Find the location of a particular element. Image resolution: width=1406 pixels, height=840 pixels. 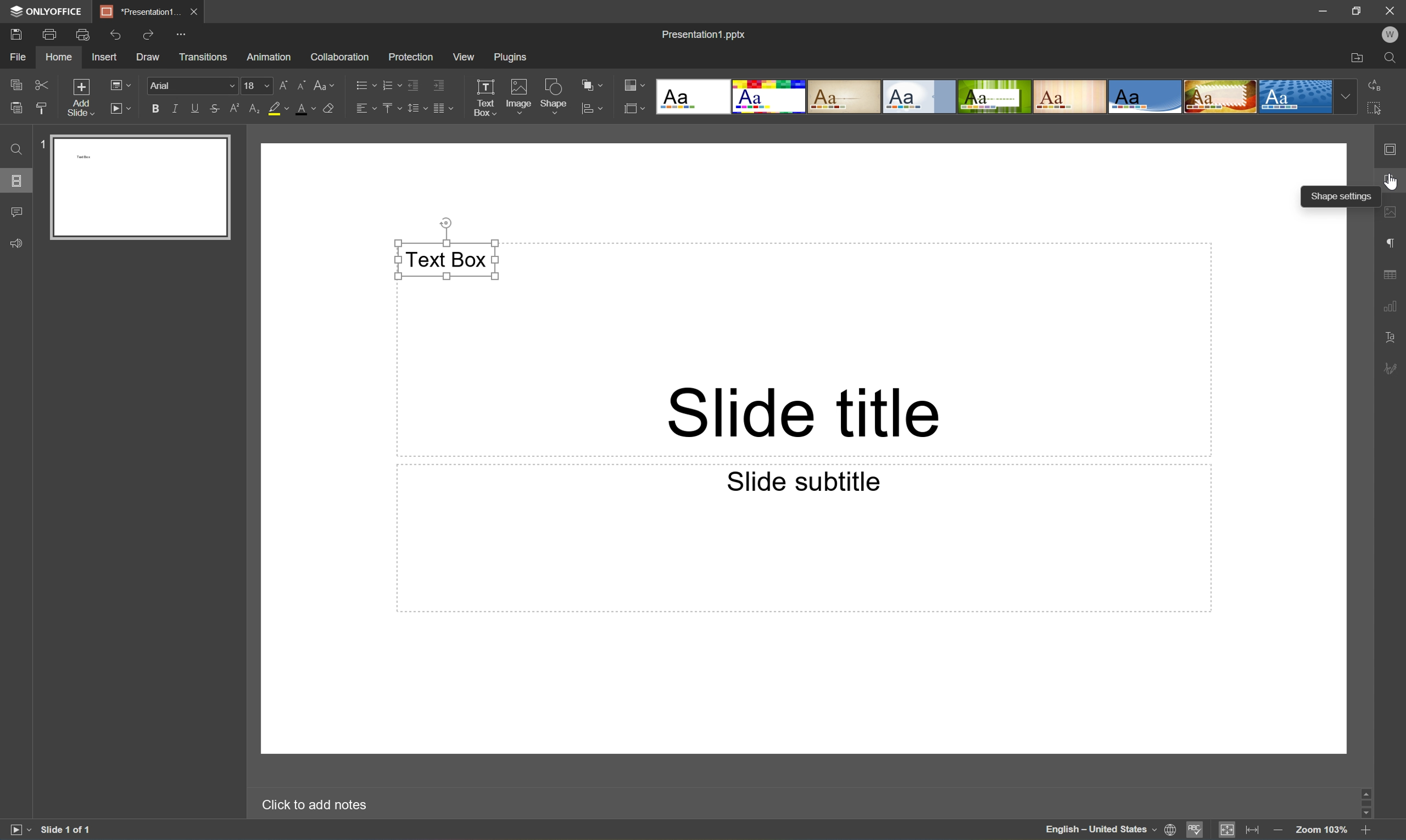

Underline is located at coordinates (193, 109).